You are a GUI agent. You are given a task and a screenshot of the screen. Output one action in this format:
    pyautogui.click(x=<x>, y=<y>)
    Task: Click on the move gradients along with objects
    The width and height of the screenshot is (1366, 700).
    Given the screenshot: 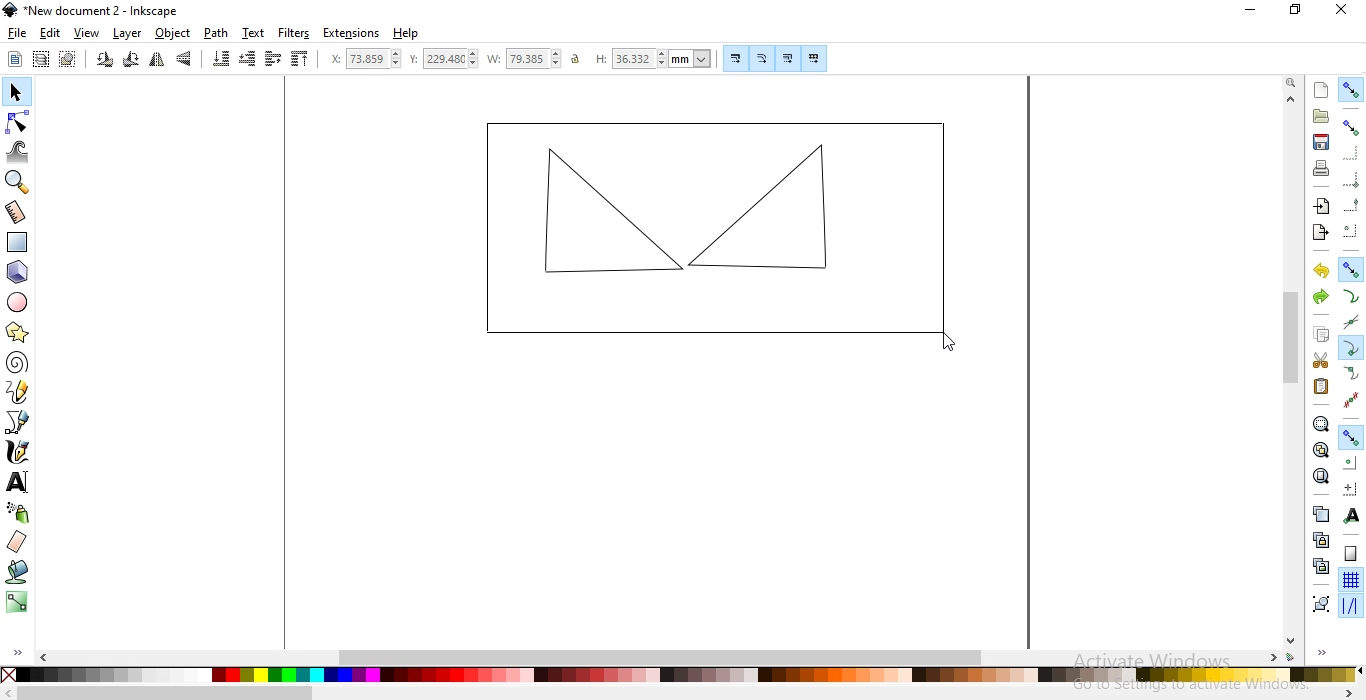 What is the action you would take?
    pyautogui.click(x=785, y=58)
    